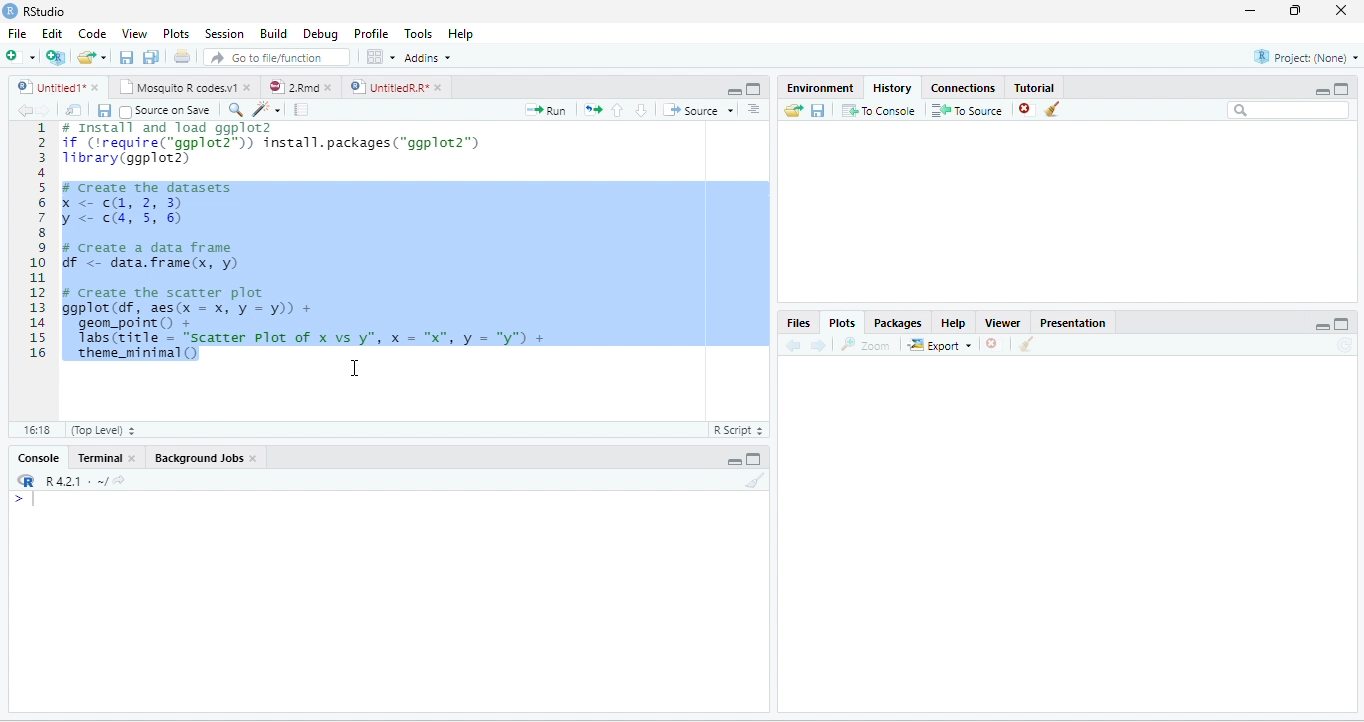 The image size is (1364, 722). What do you see at coordinates (75, 481) in the screenshot?
I see `R 4.2.1 . ~/` at bounding box center [75, 481].